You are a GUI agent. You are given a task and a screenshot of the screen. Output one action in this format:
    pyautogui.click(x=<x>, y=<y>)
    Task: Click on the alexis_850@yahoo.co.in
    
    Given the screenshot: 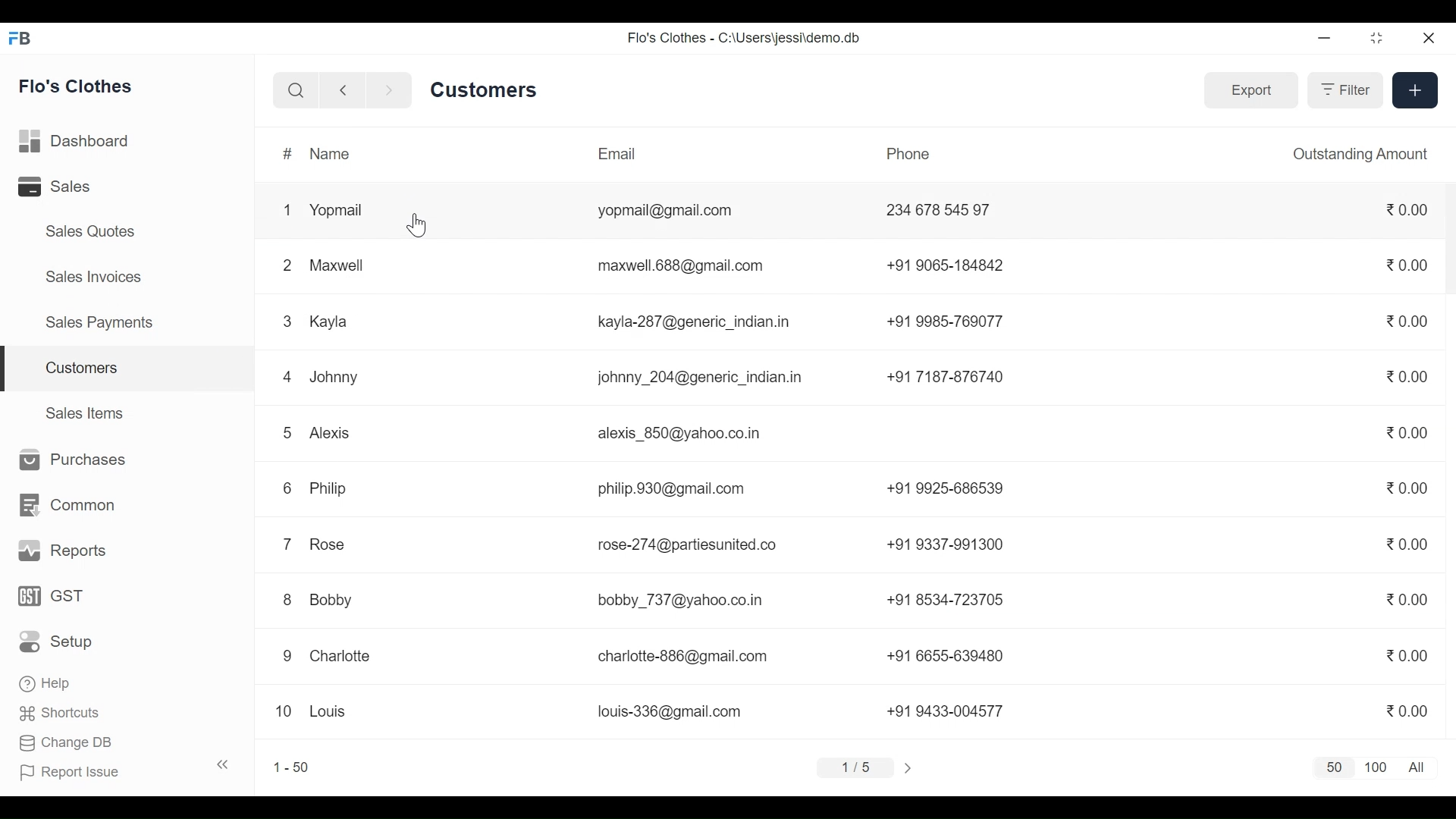 What is the action you would take?
    pyautogui.click(x=683, y=434)
    